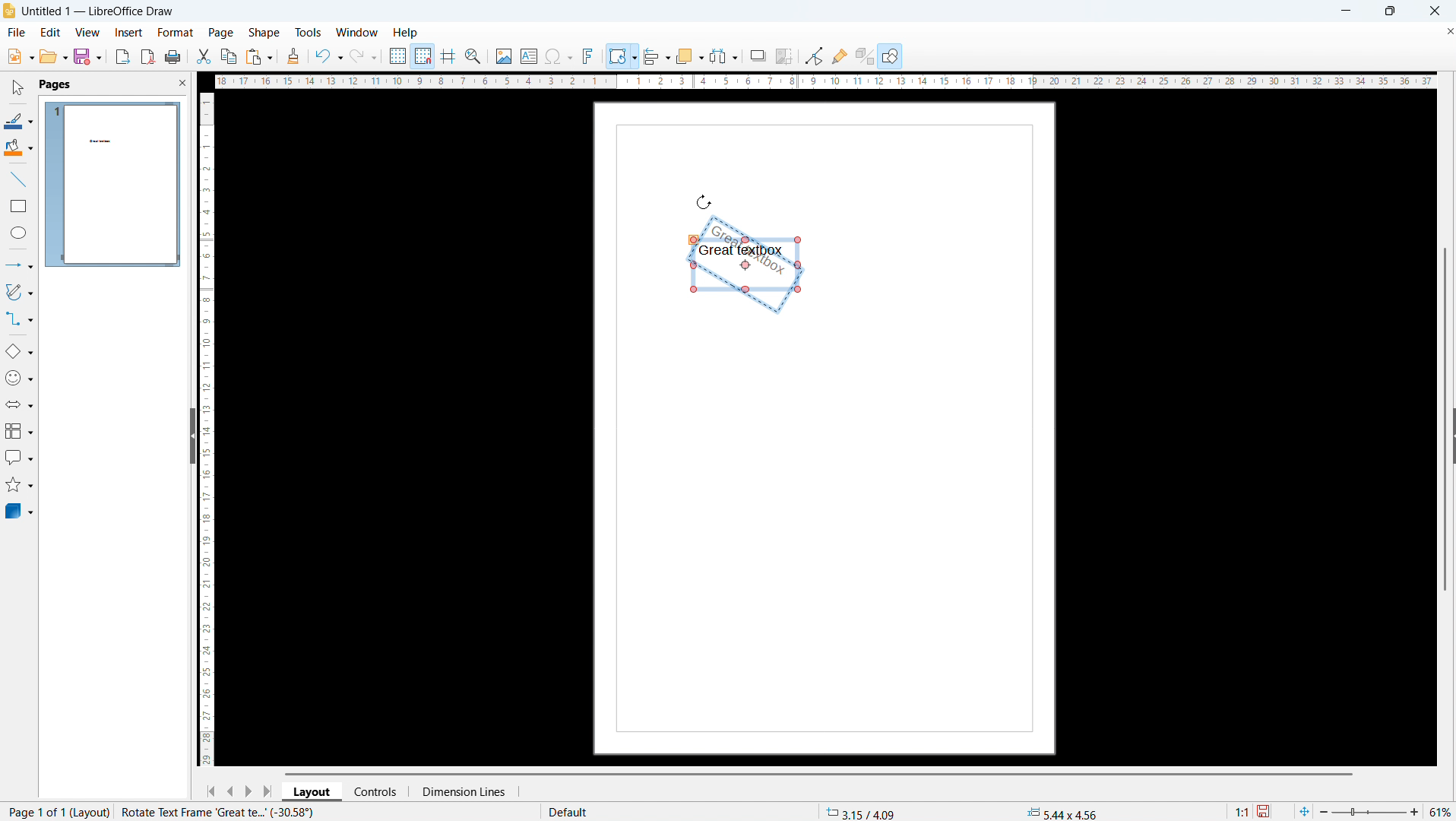  What do you see at coordinates (19, 352) in the screenshot?
I see `basic shapes` at bounding box center [19, 352].